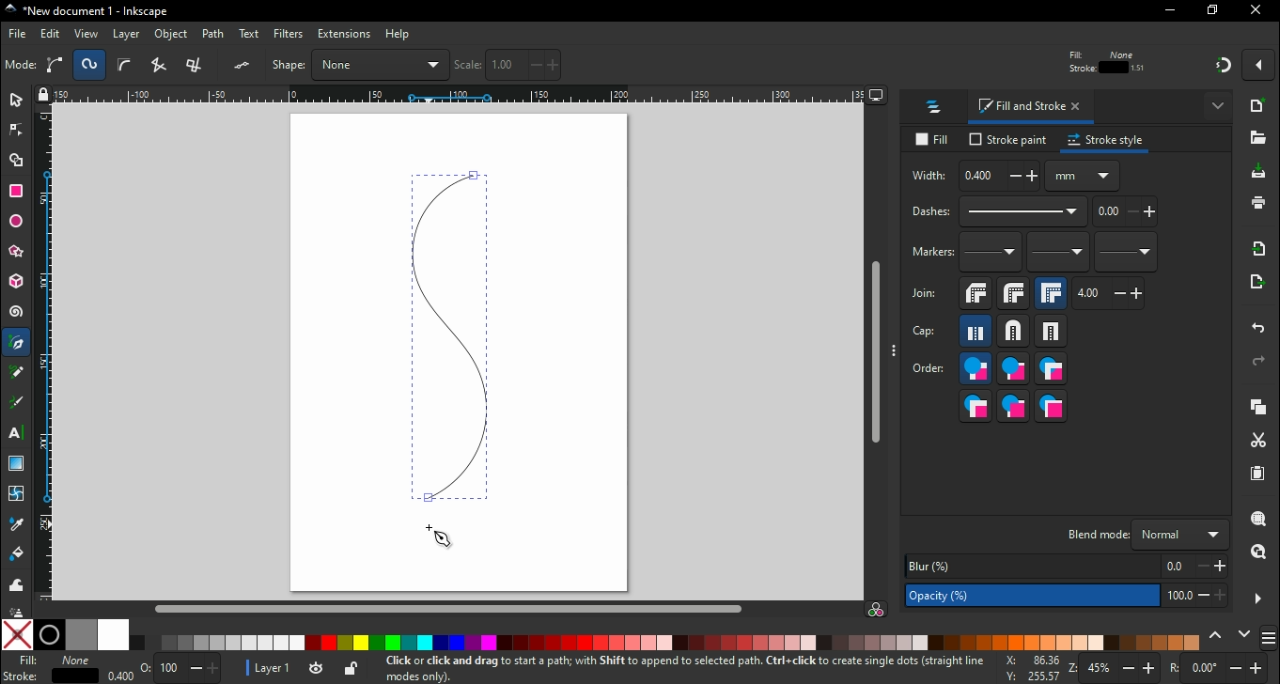 The image size is (1280, 684). I want to click on color palette, so click(667, 643).